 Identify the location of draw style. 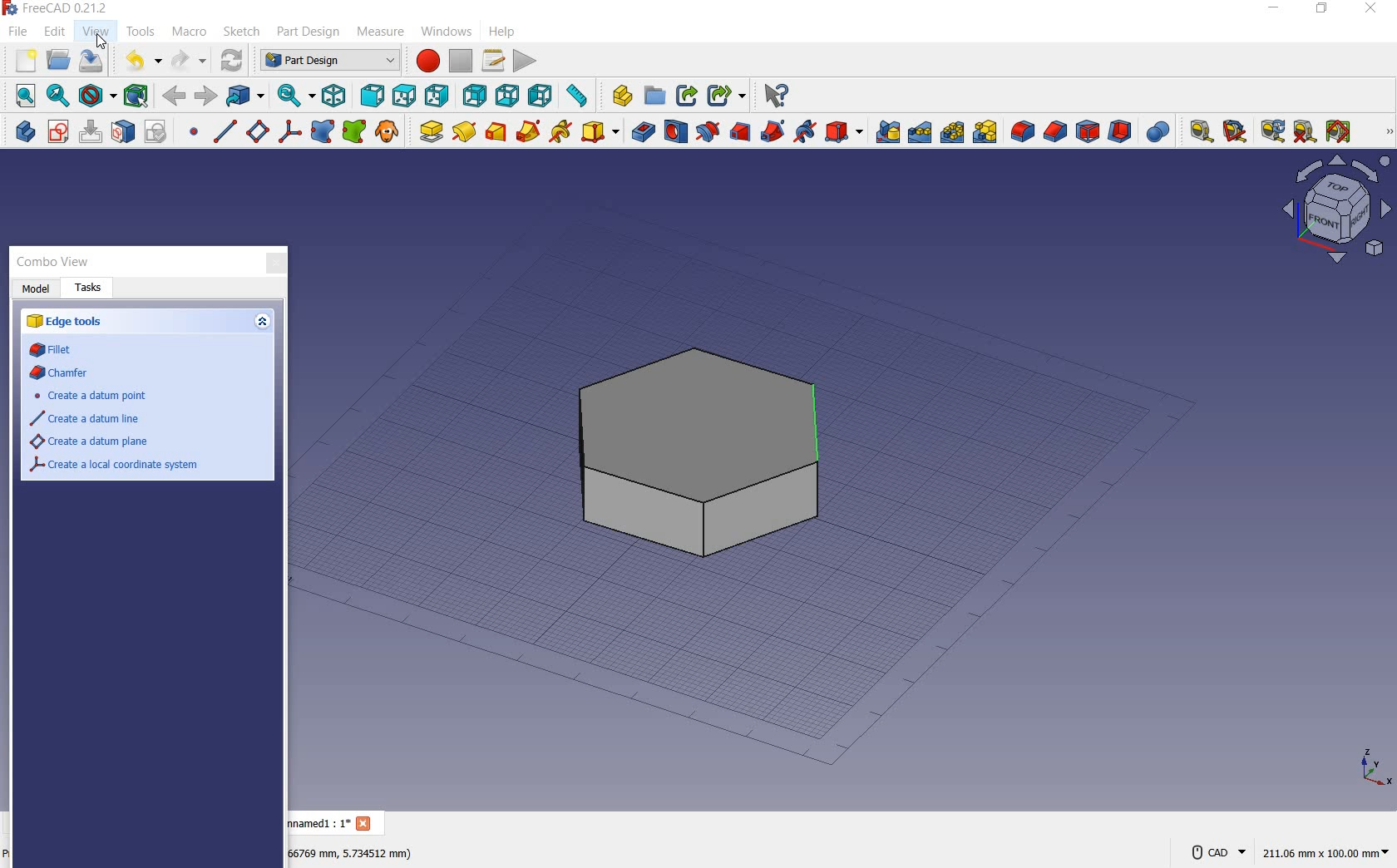
(96, 96).